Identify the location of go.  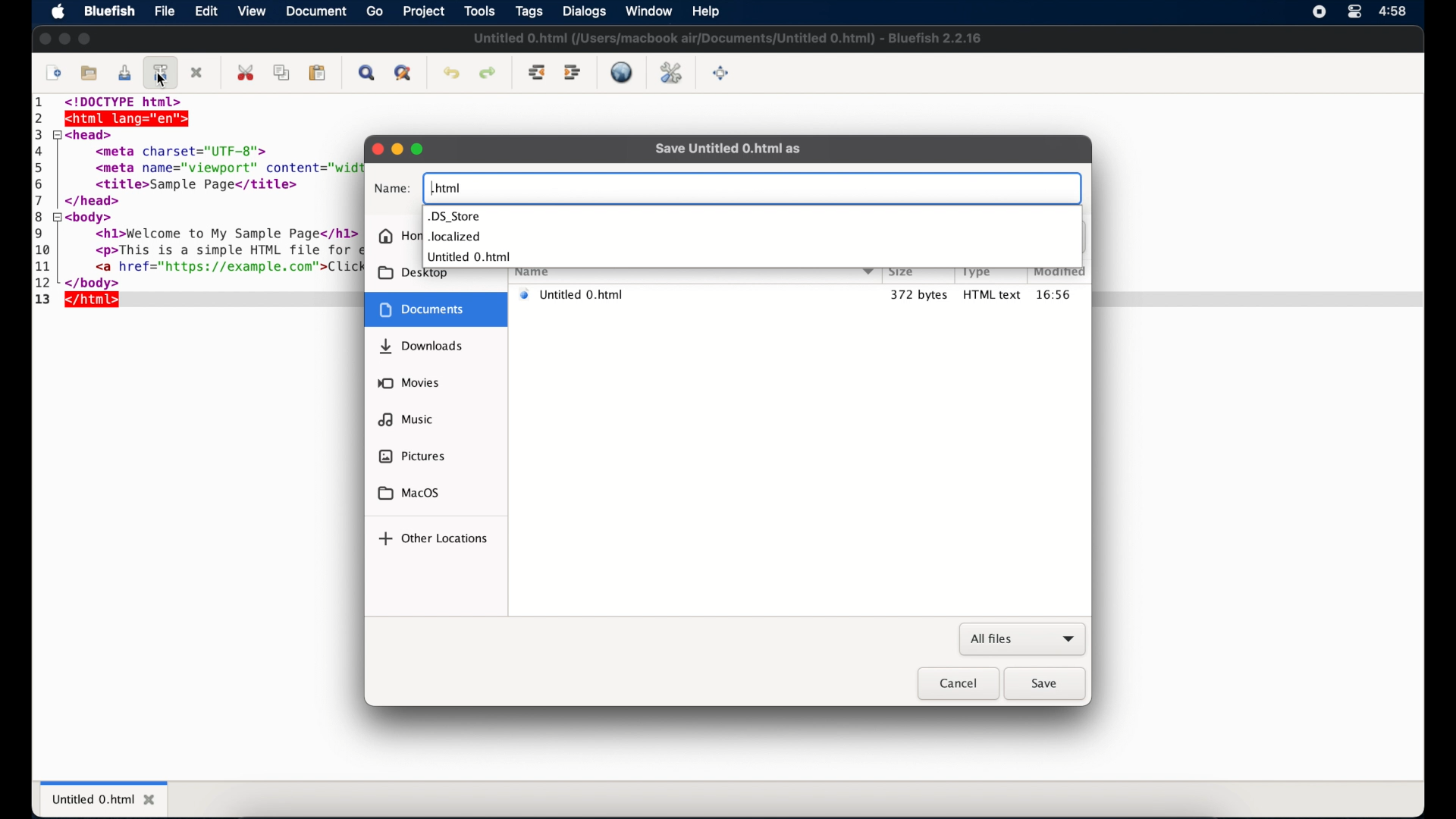
(375, 11).